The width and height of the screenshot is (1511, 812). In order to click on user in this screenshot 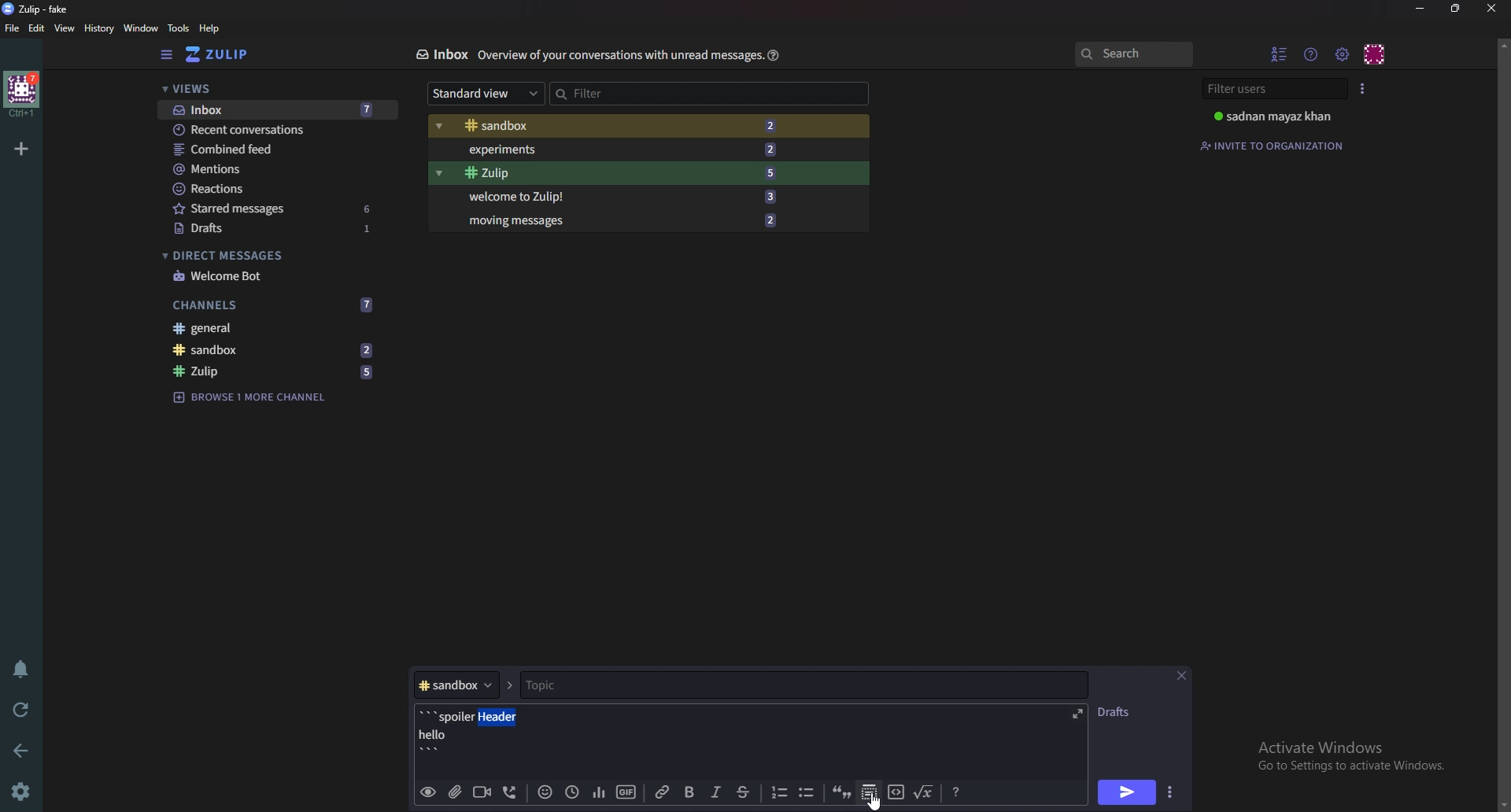, I will do `click(1279, 116)`.